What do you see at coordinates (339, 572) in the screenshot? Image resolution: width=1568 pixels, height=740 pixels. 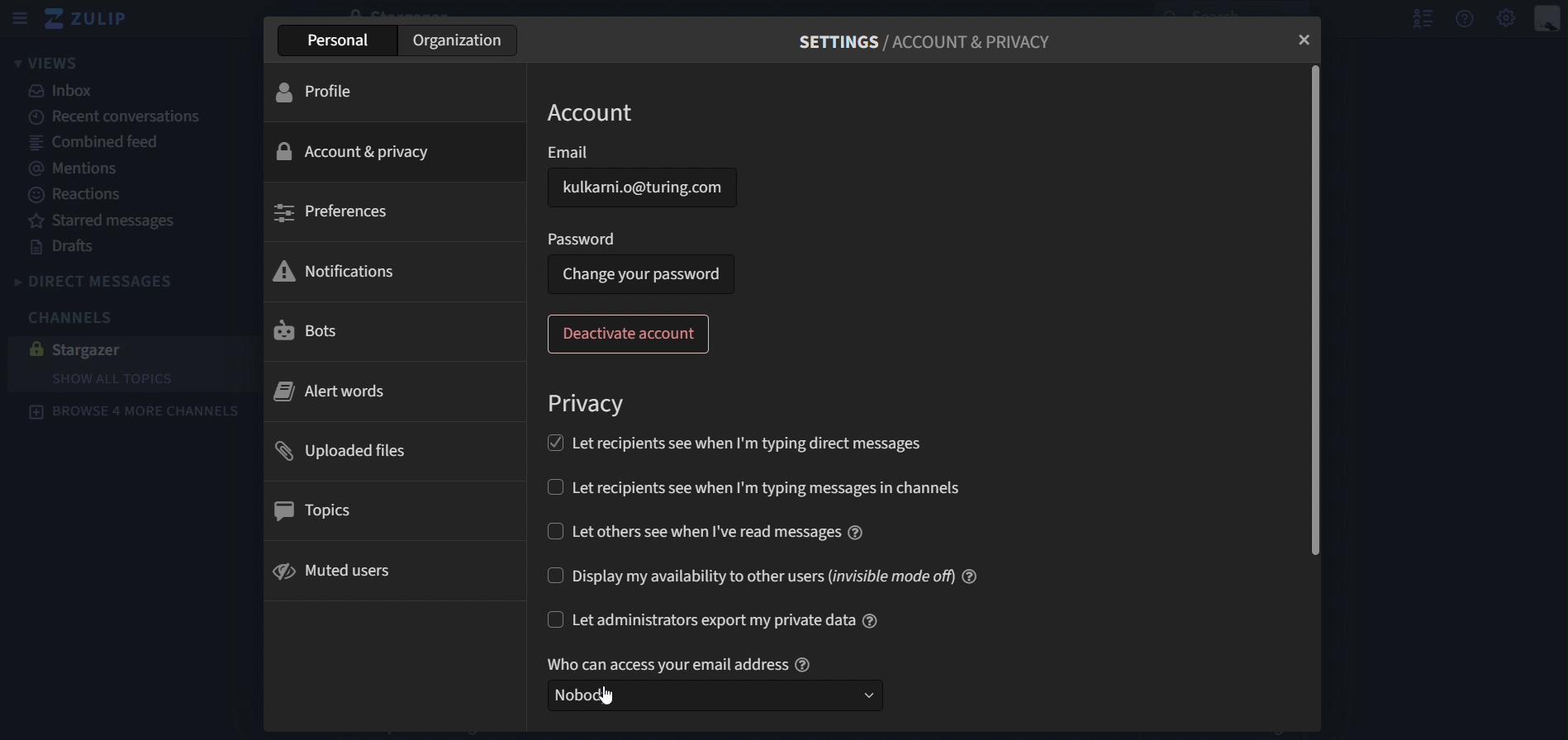 I see `muted users` at bounding box center [339, 572].